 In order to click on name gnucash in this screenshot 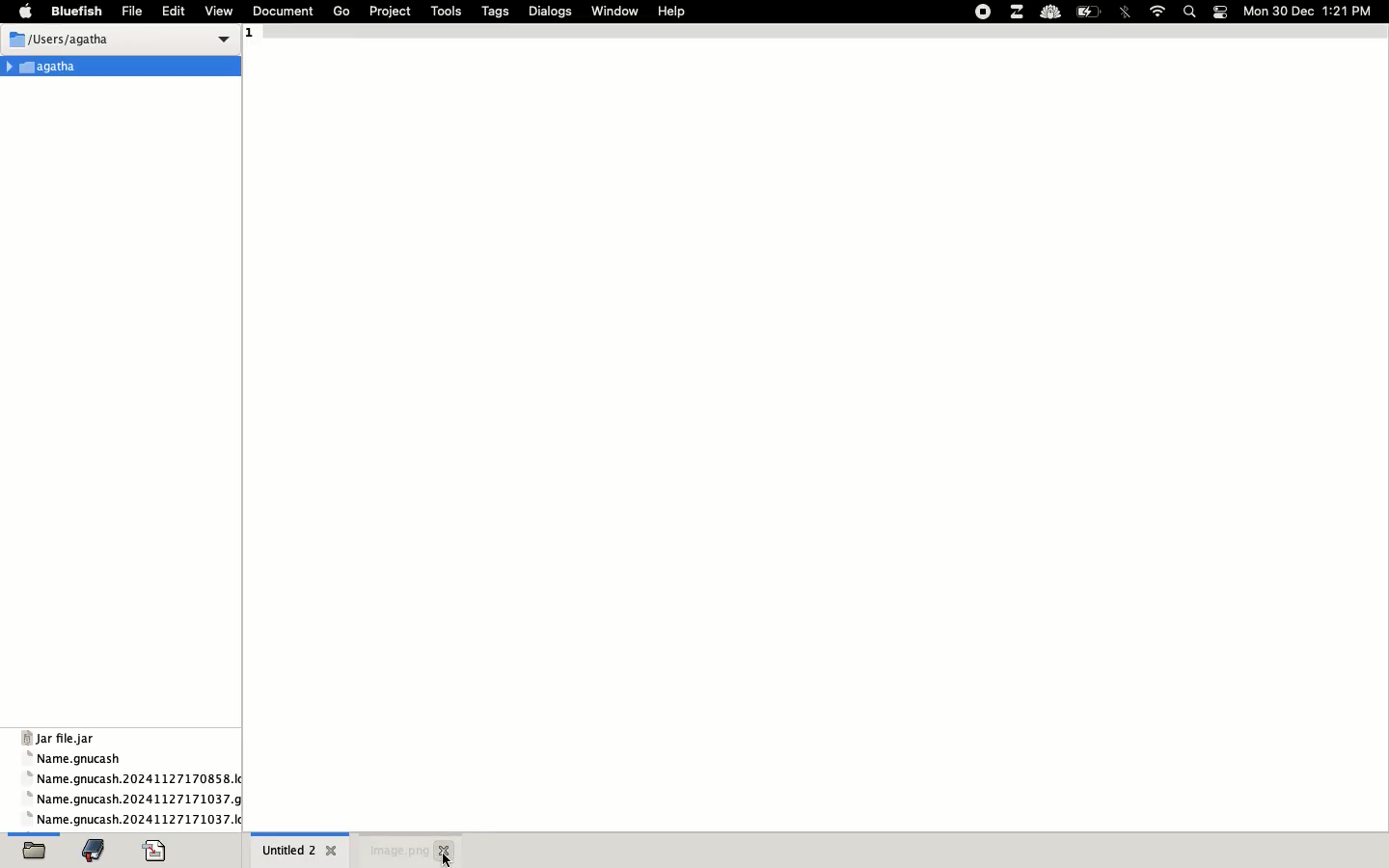, I will do `click(73, 759)`.